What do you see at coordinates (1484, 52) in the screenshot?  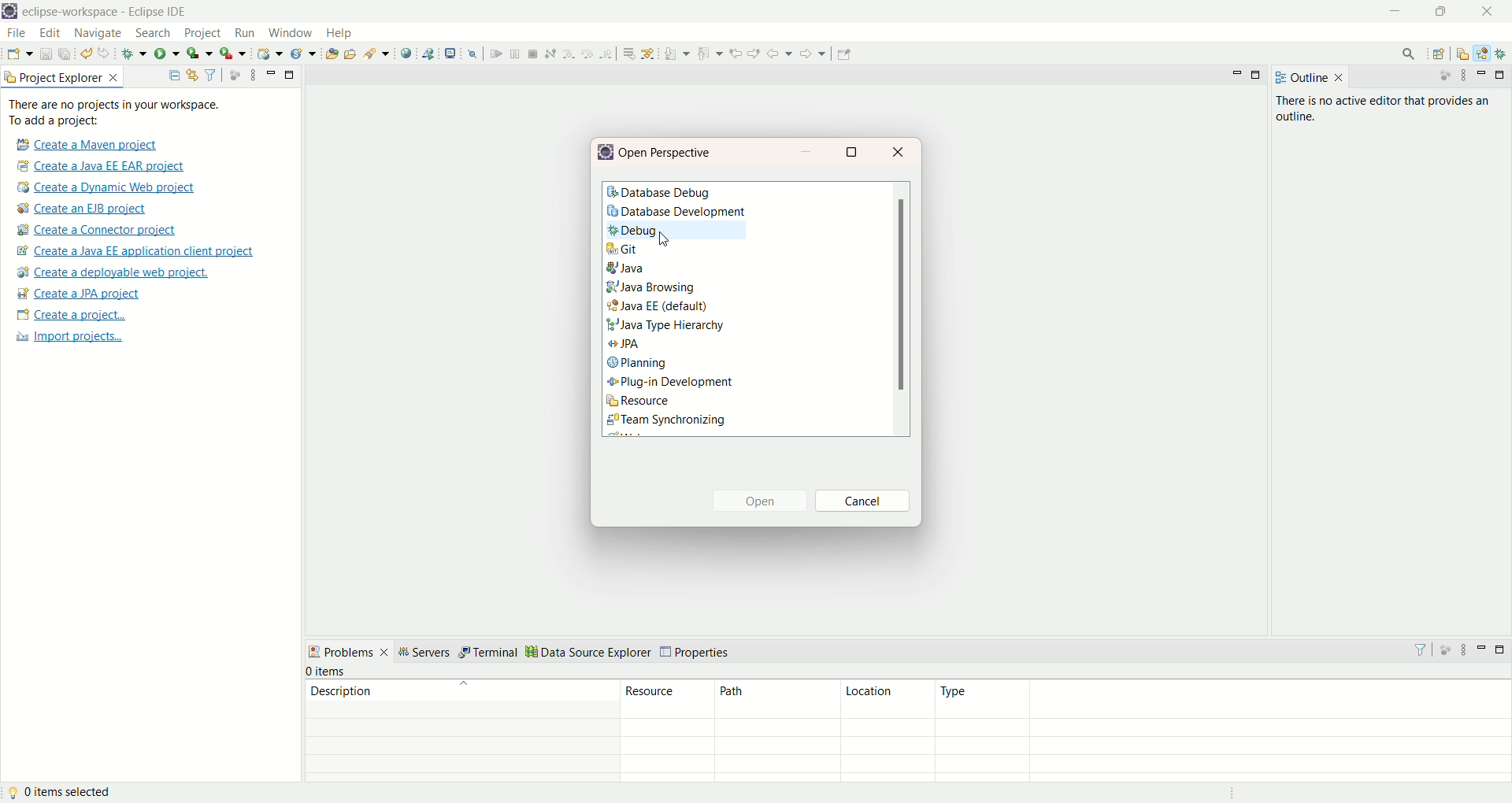 I see `java EE` at bounding box center [1484, 52].